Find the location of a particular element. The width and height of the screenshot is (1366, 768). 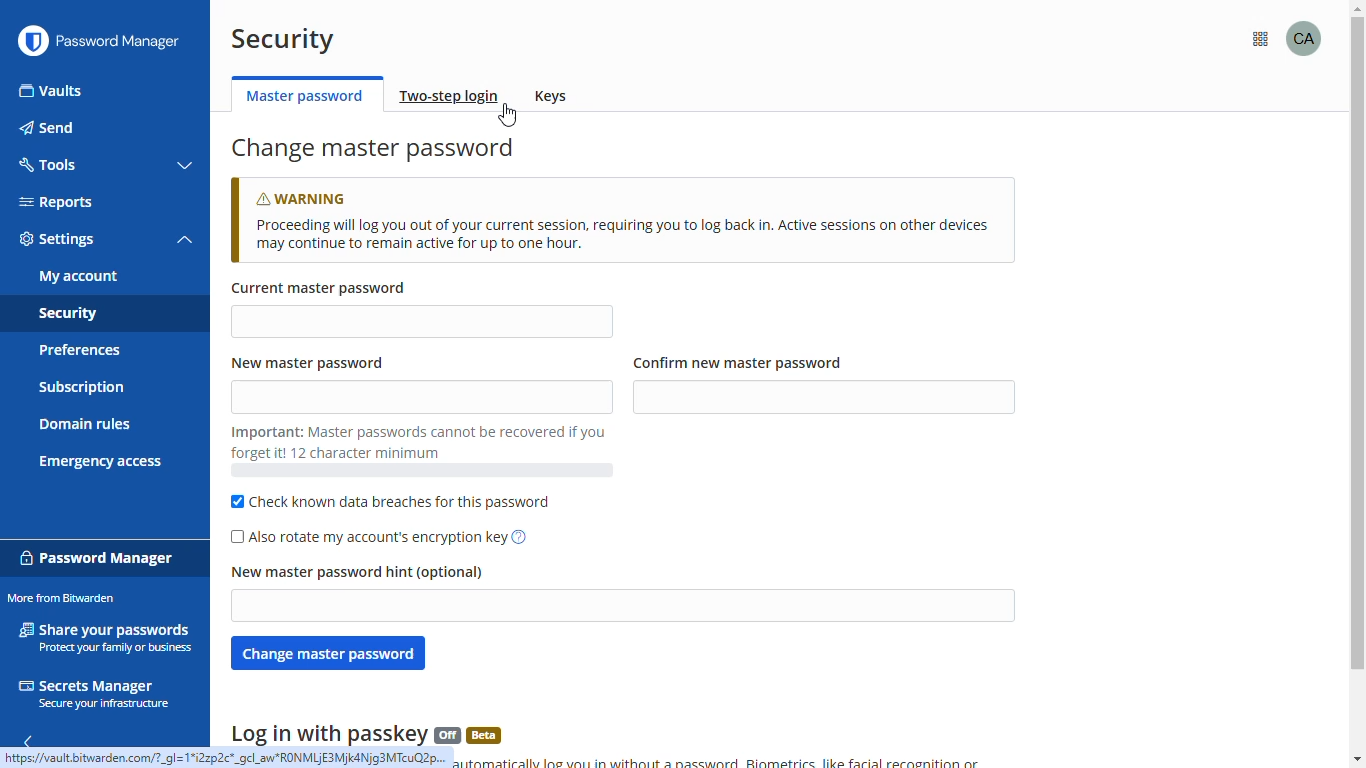

secrets manager is located at coordinates (93, 693).